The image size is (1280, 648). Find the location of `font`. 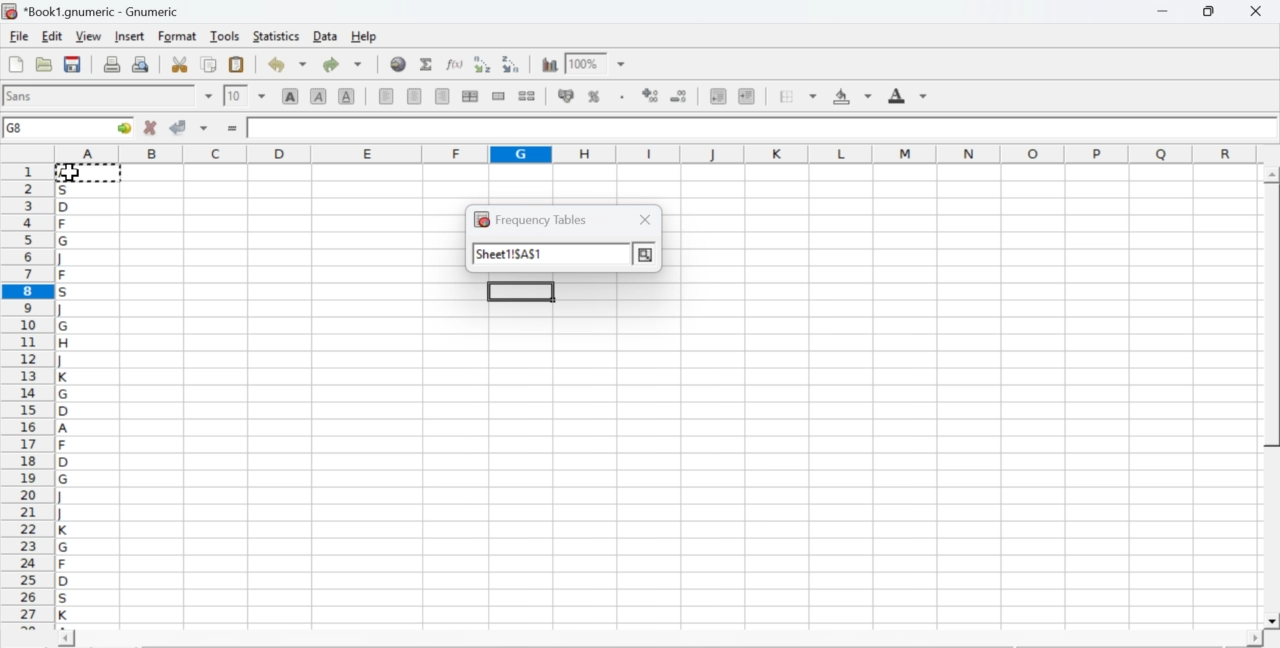

font is located at coordinates (22, 95).